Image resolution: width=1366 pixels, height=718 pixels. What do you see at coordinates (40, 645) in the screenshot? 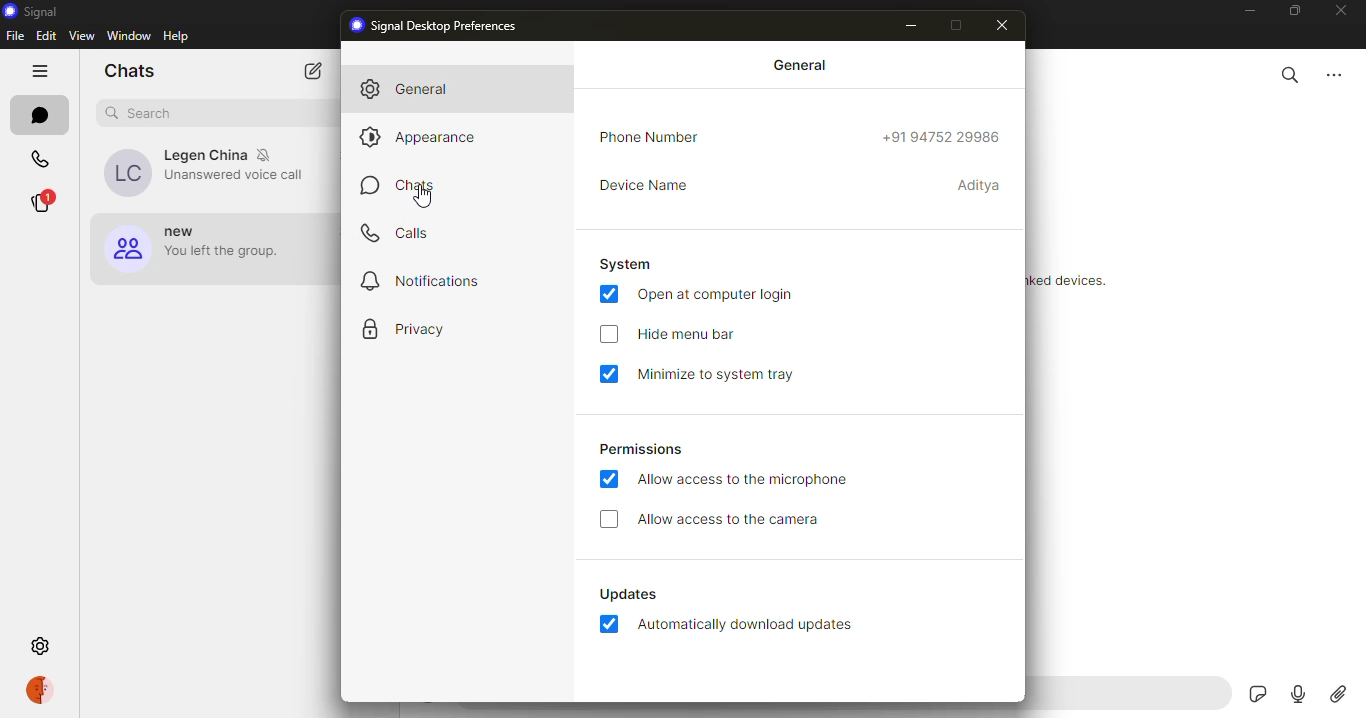
I see `settings` at bounding box center [40, 645].